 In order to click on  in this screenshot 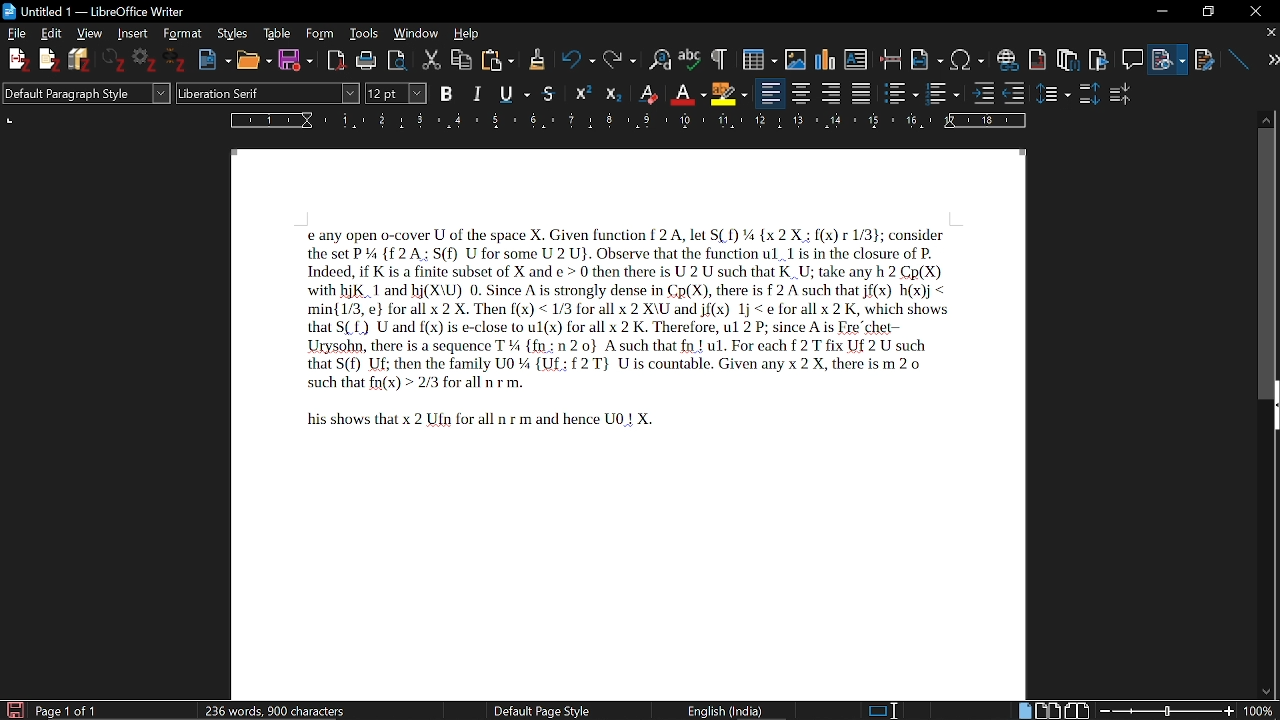, I will do `click(116, 61)`.